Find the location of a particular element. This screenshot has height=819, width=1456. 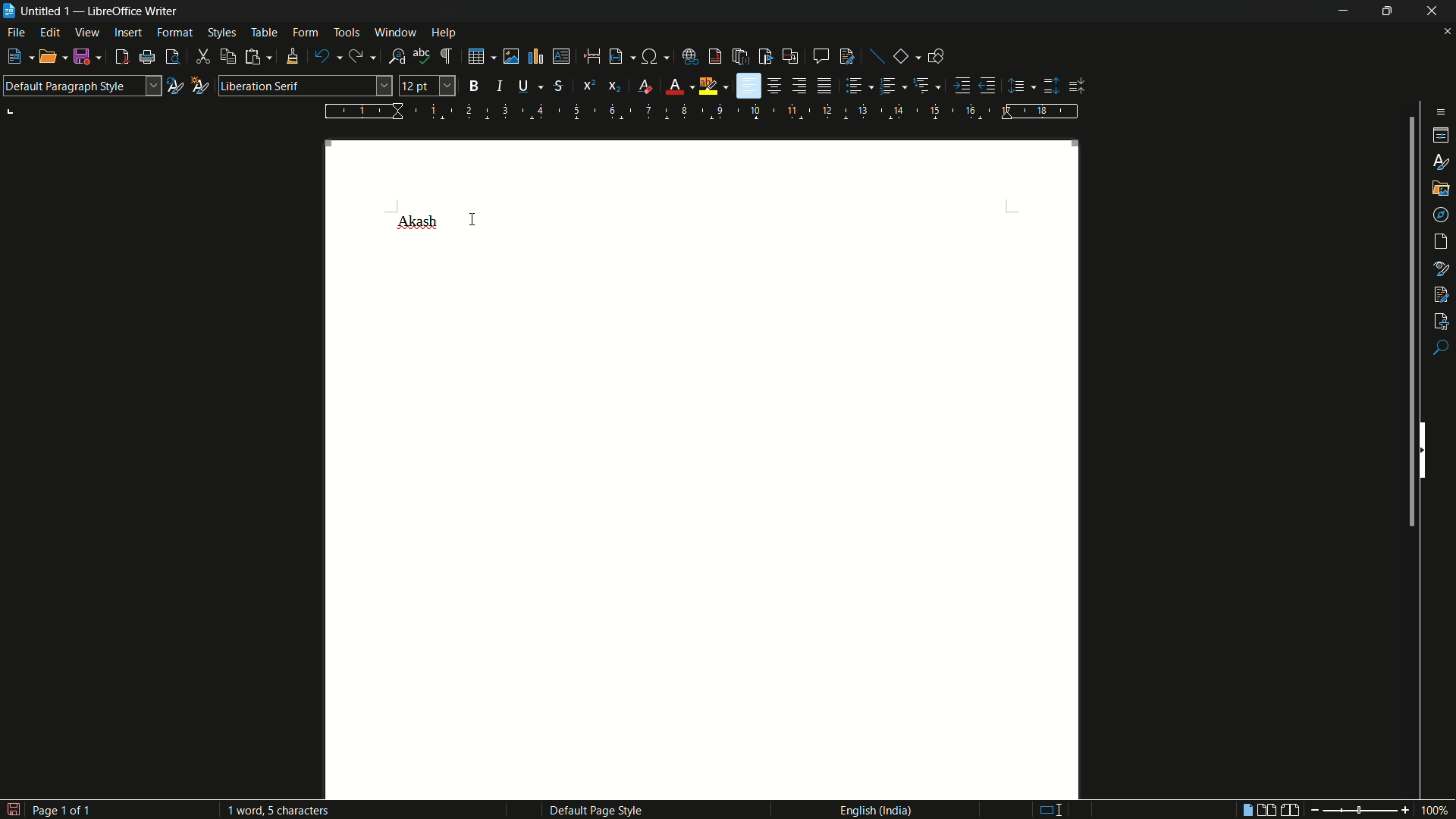

find is located at coordinates (1441, 349).